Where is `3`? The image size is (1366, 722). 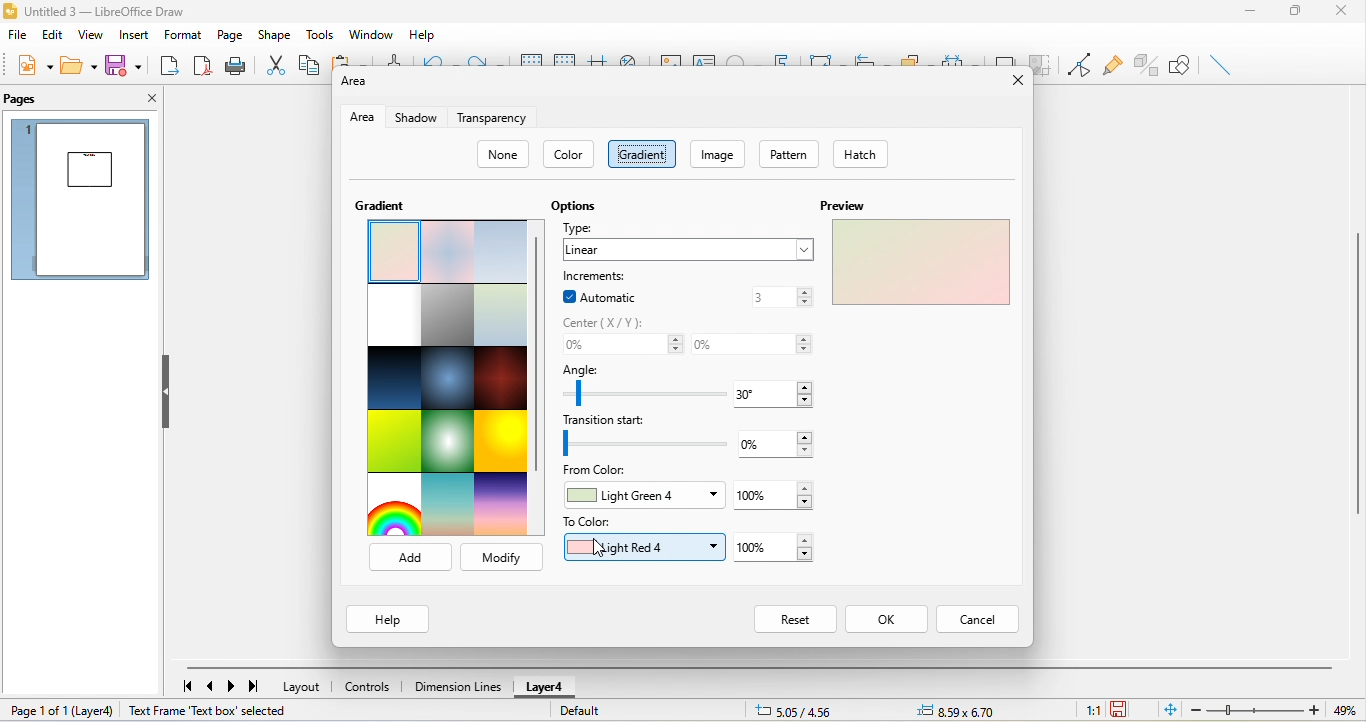 3 is located at coordinates (781, 297).